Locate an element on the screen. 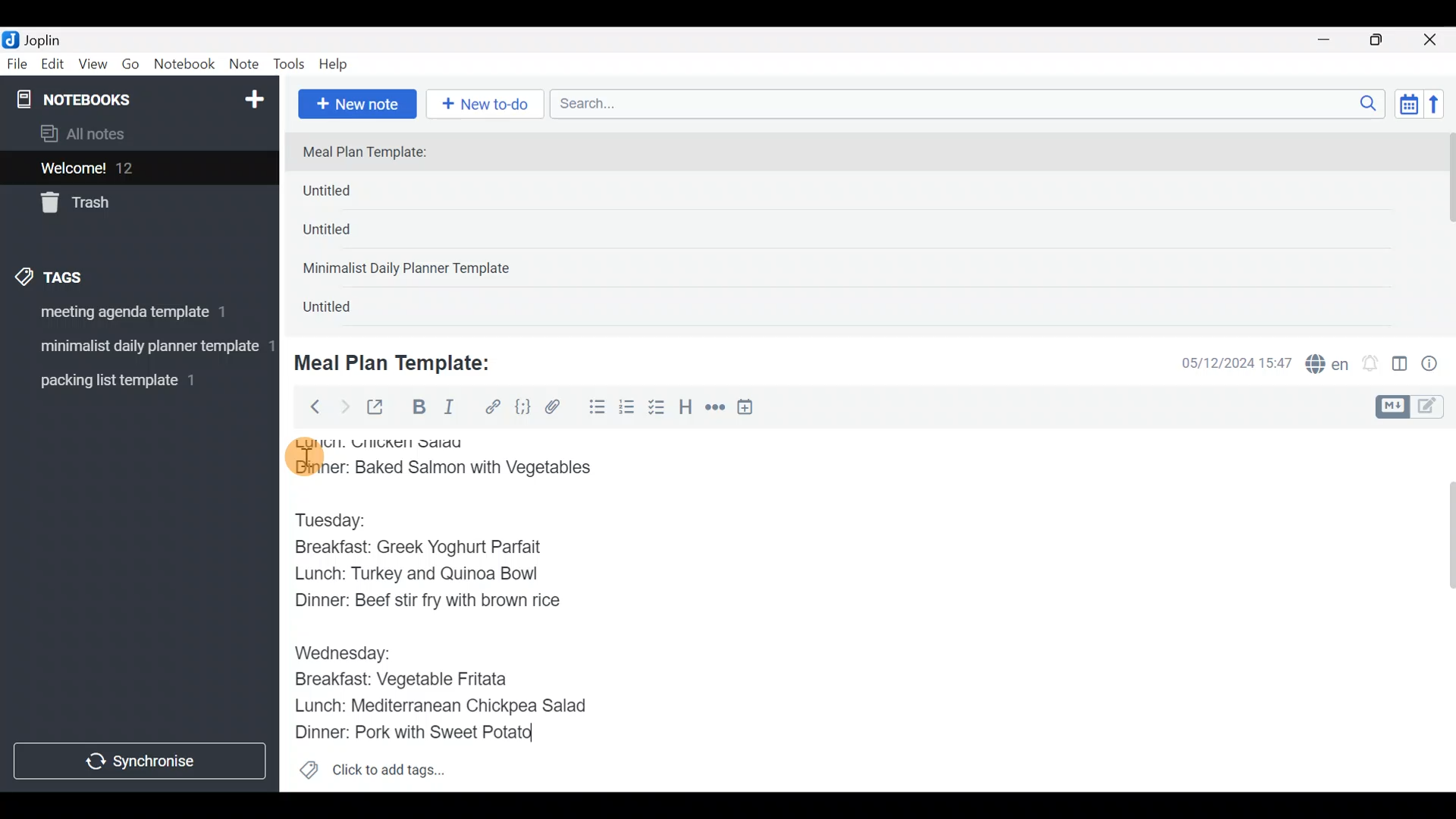 The image size is (1456, 819). New is located at coordinates (253, 96).